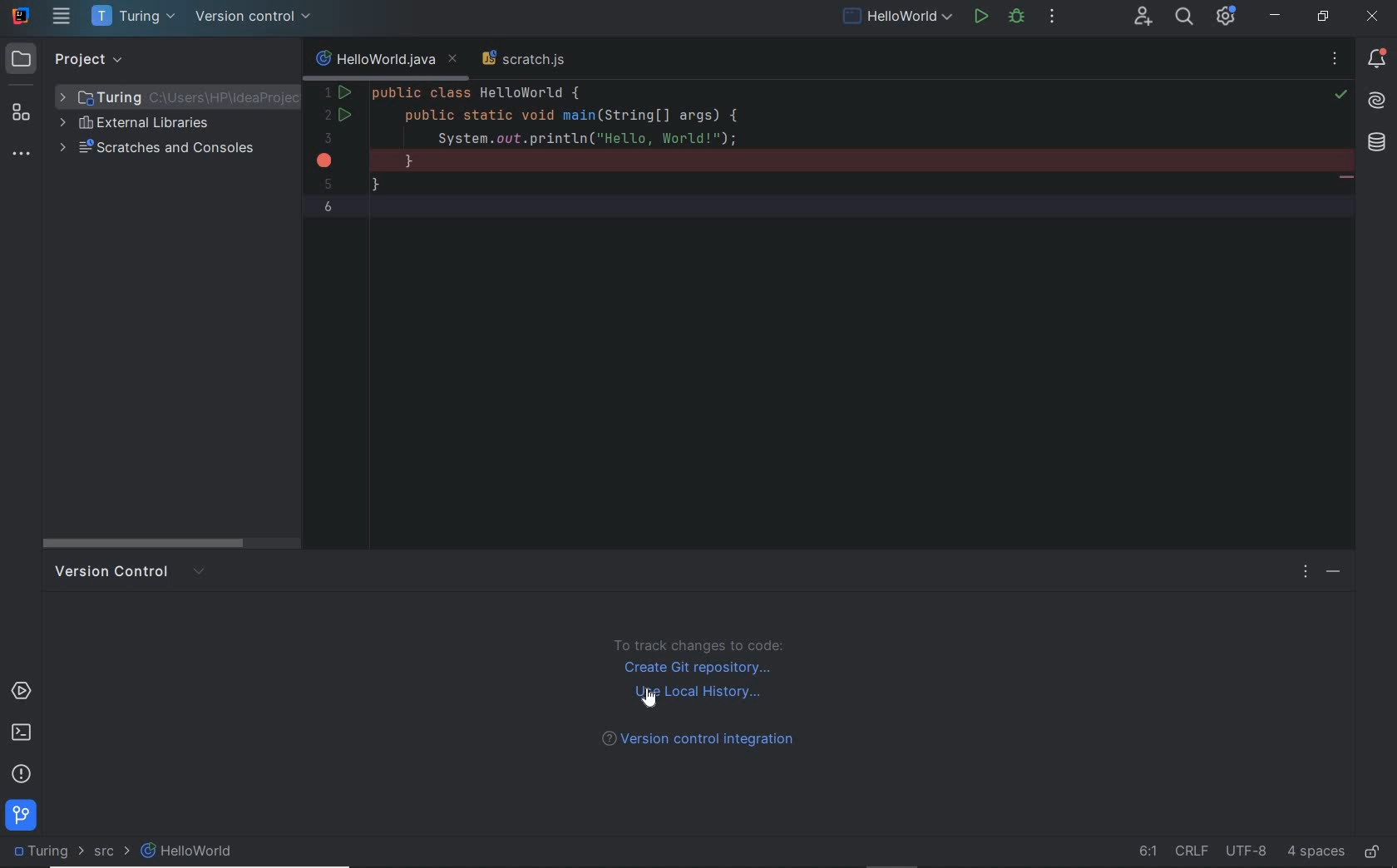 The width and height of the screenshot is (1397, 868). What do you see at coordinates (704, 670) in the screenshot?
I see `create GIt repository` at bounding box center [704, 670].